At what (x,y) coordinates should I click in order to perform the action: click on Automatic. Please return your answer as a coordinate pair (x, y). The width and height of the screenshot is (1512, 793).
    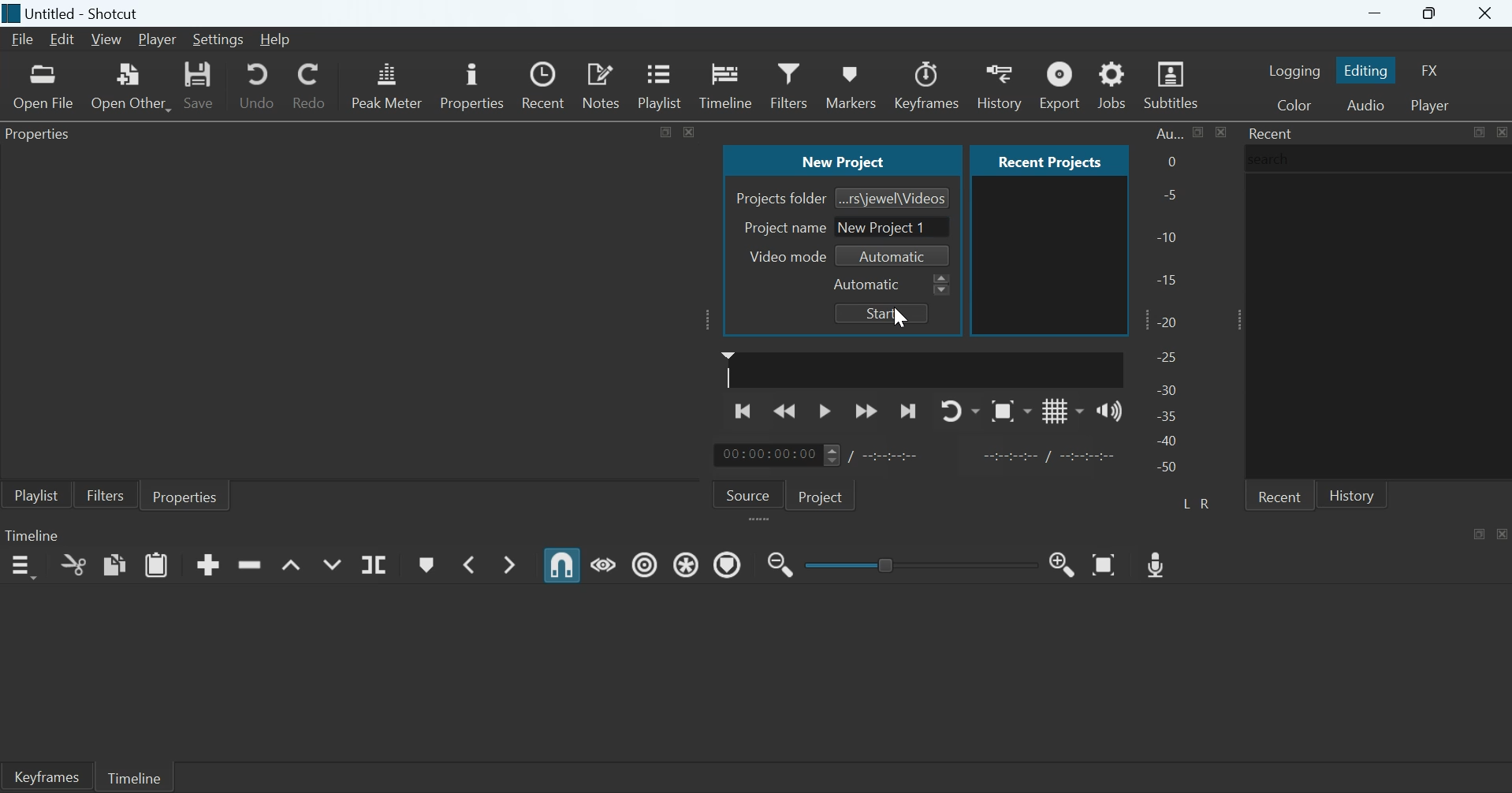
    Looking at the image, I should click on (868, 285).